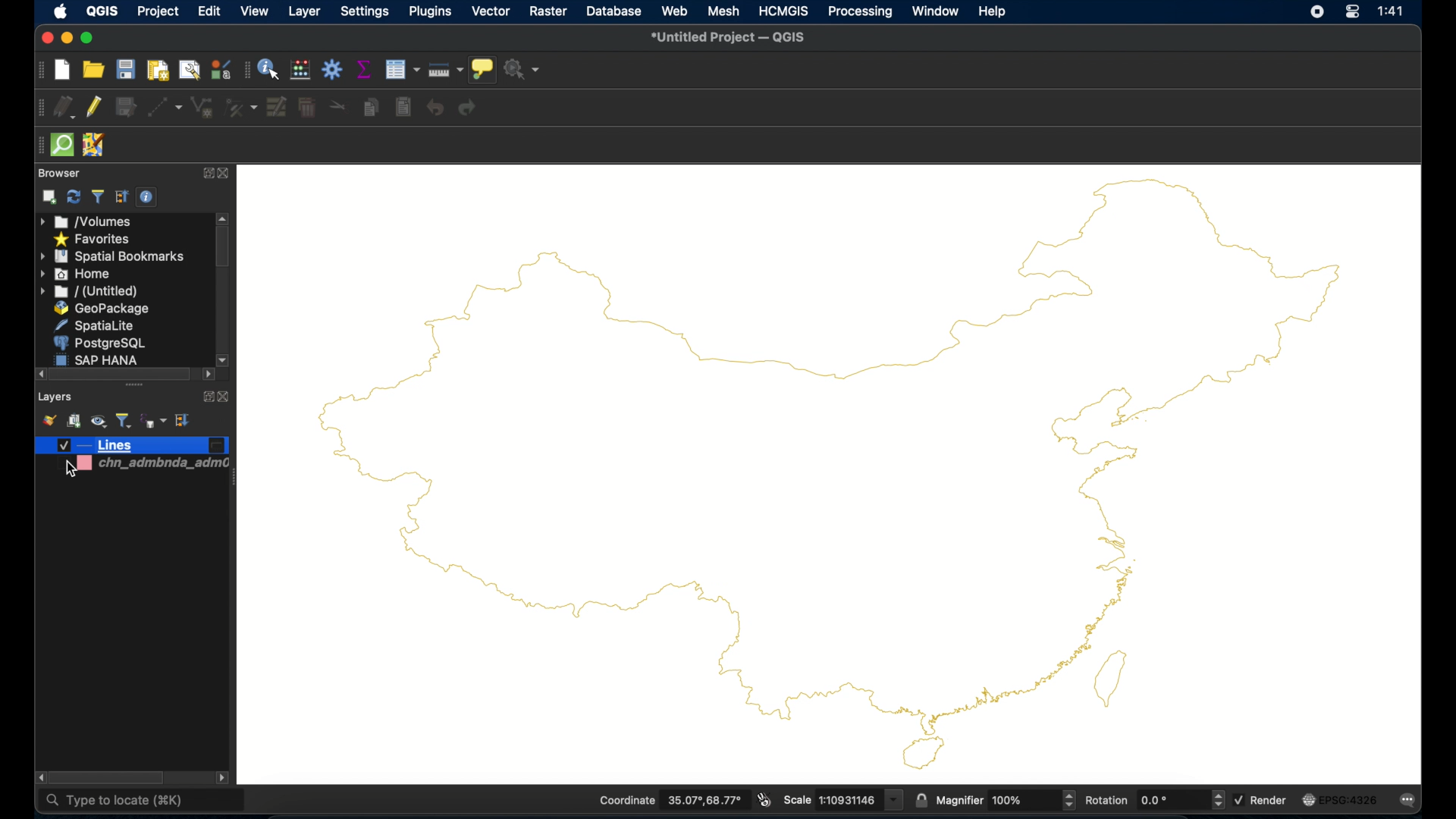  I want to click on settings, so click(366, 13).